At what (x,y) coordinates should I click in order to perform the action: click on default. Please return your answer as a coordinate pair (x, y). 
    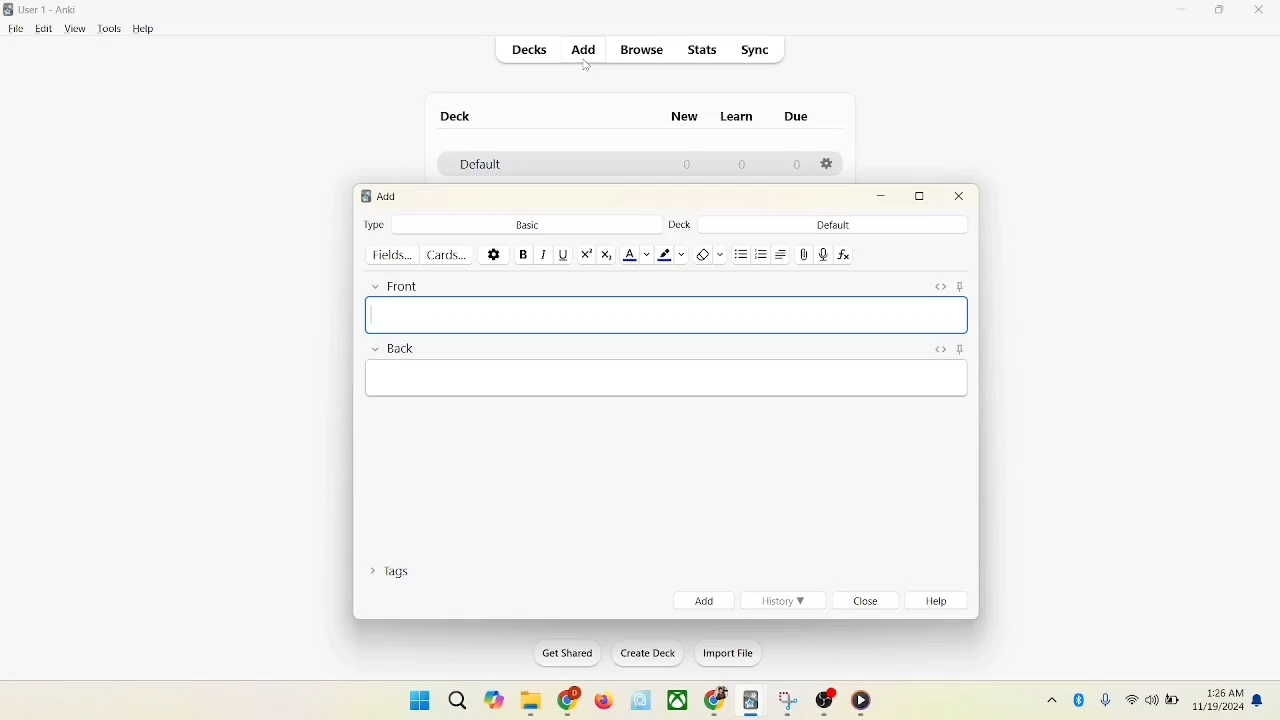
    Looking at the image, I should click on (833, 225).